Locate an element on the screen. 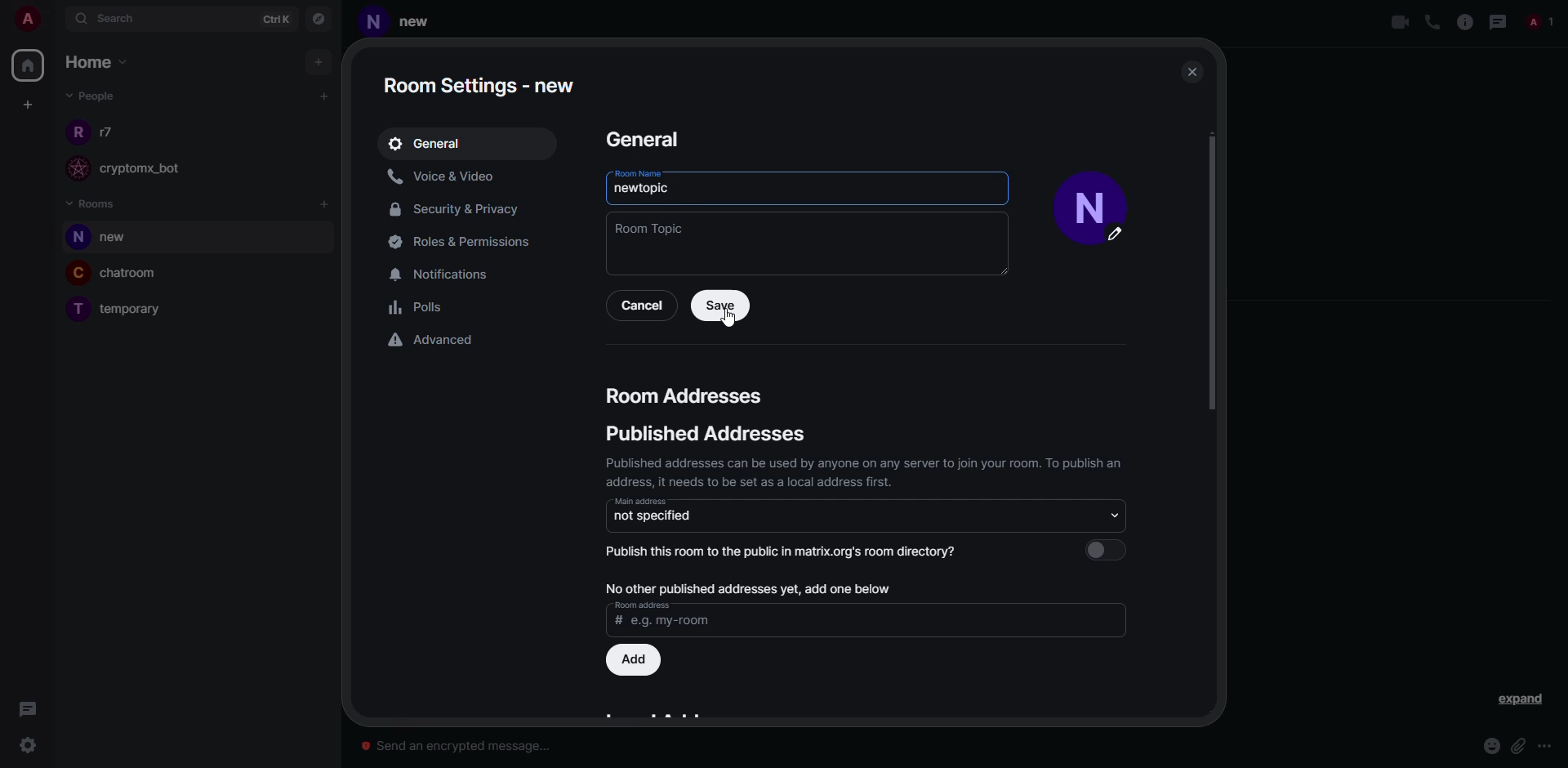 This screenshot has height=768, width=1568. new  is located at coordinates (423, 20).